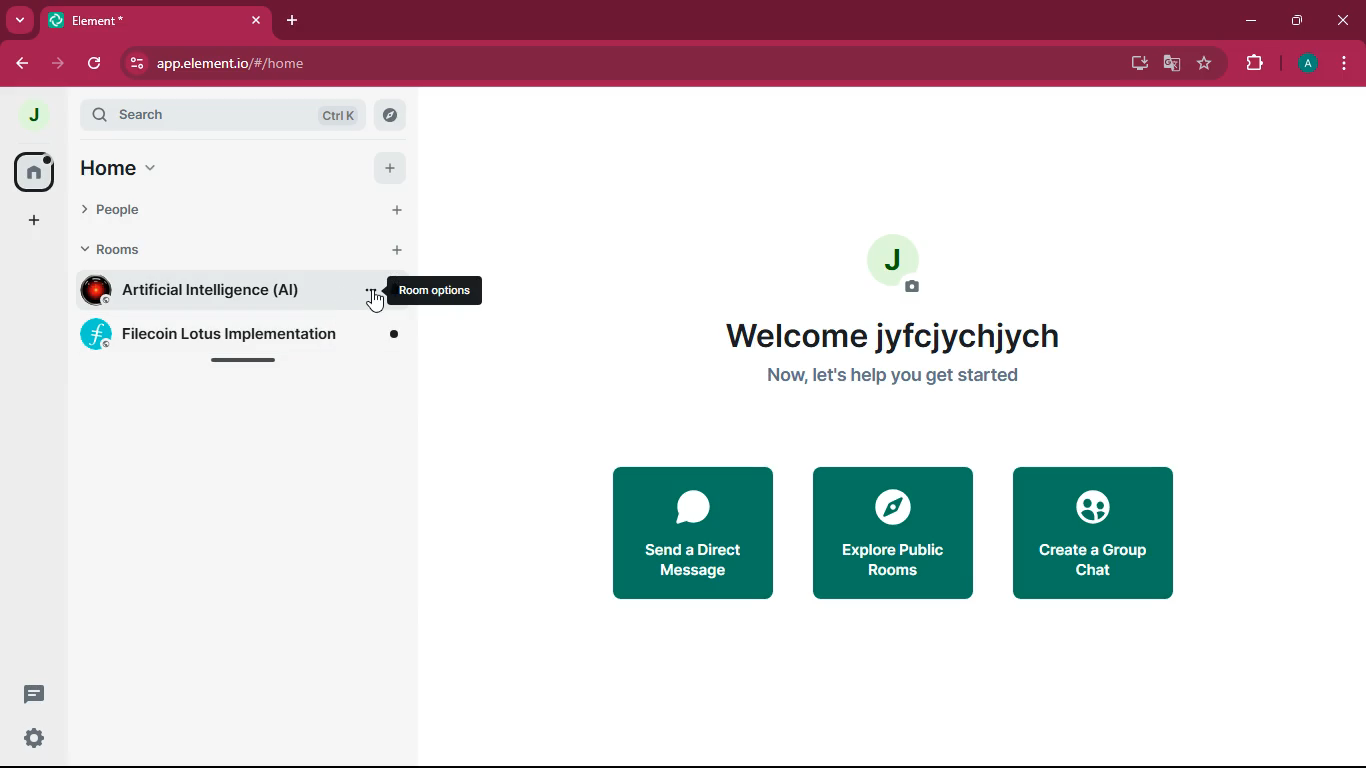  What do you see at coordinates (209, 290) in the screenshot?
I see `room` at bounding box center [209, 290].